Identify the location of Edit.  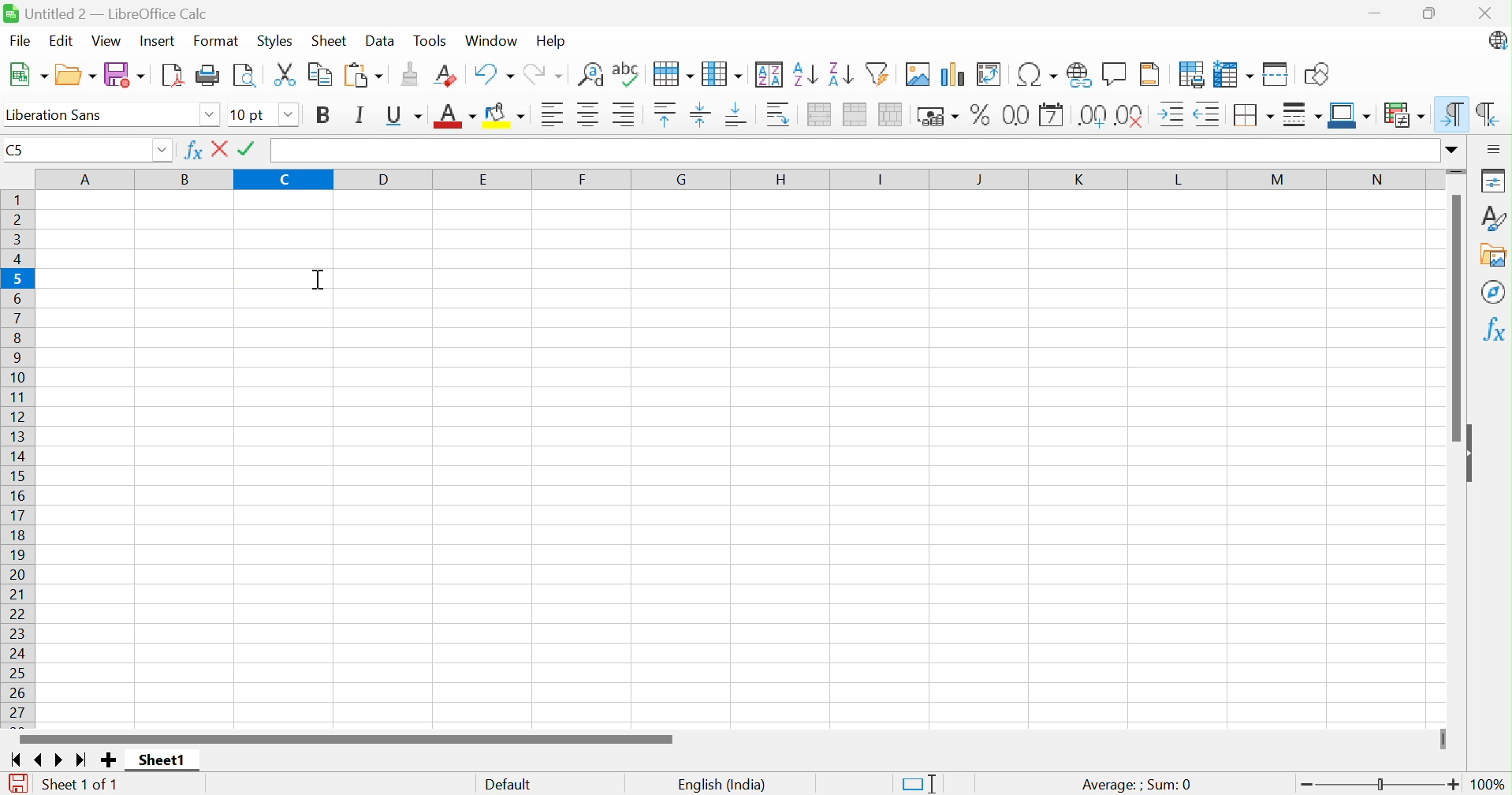
(62, 43).